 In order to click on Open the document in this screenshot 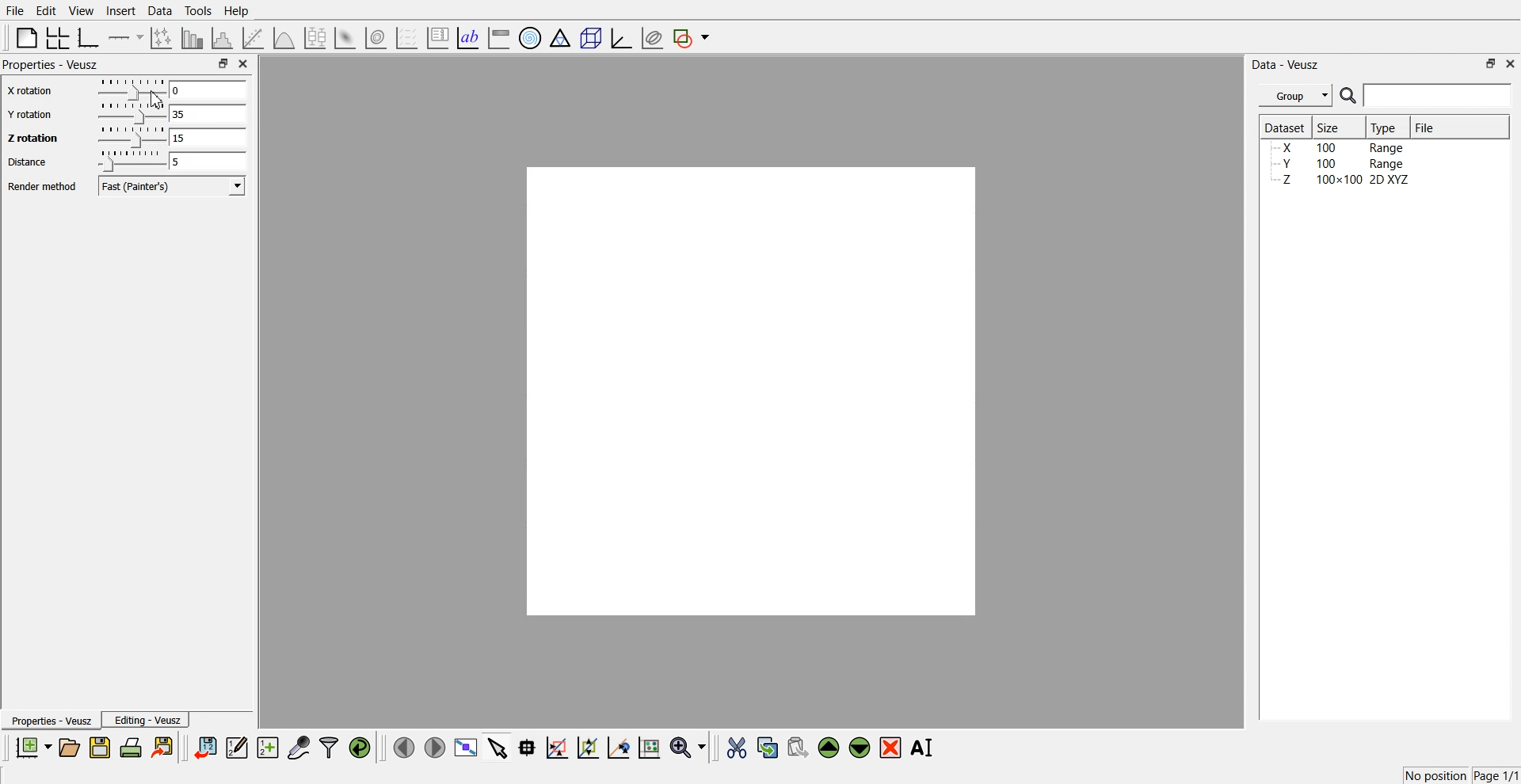, I will do `click(68, 748)`.